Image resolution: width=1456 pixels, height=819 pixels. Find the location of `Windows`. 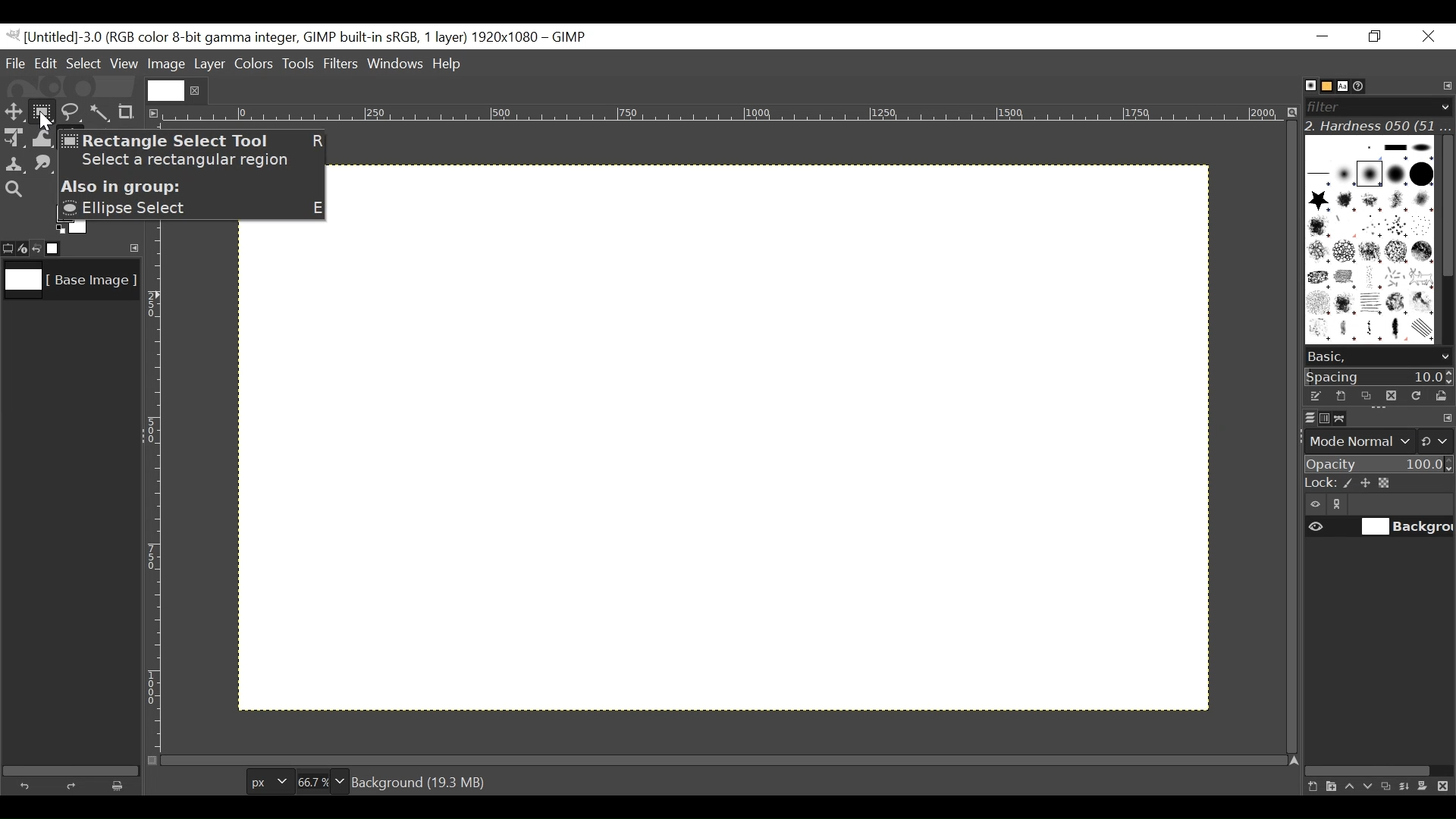

Windows is located at coordinates (397, 65).